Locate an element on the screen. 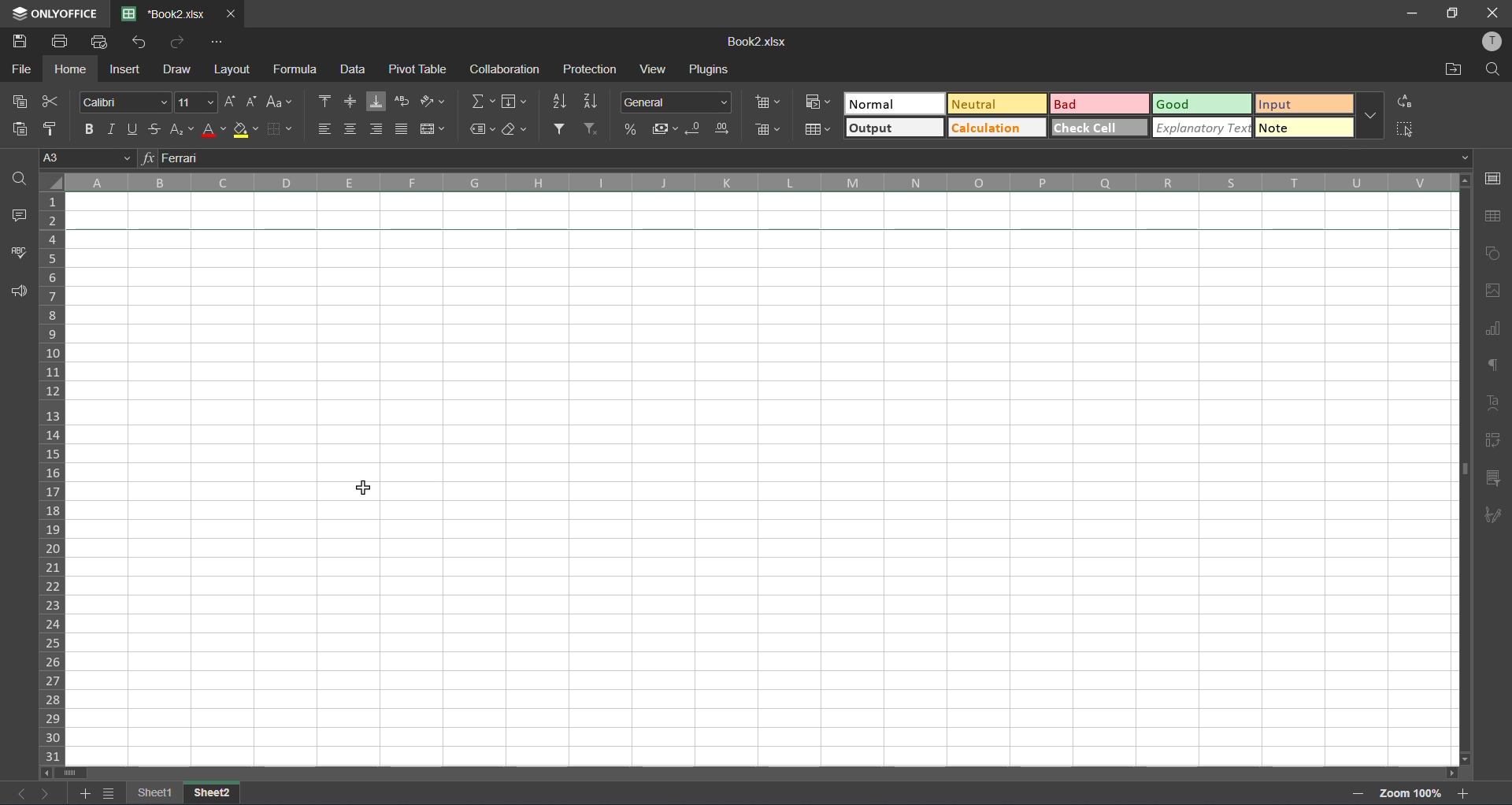  bad is located at coordinates (1102, 104).